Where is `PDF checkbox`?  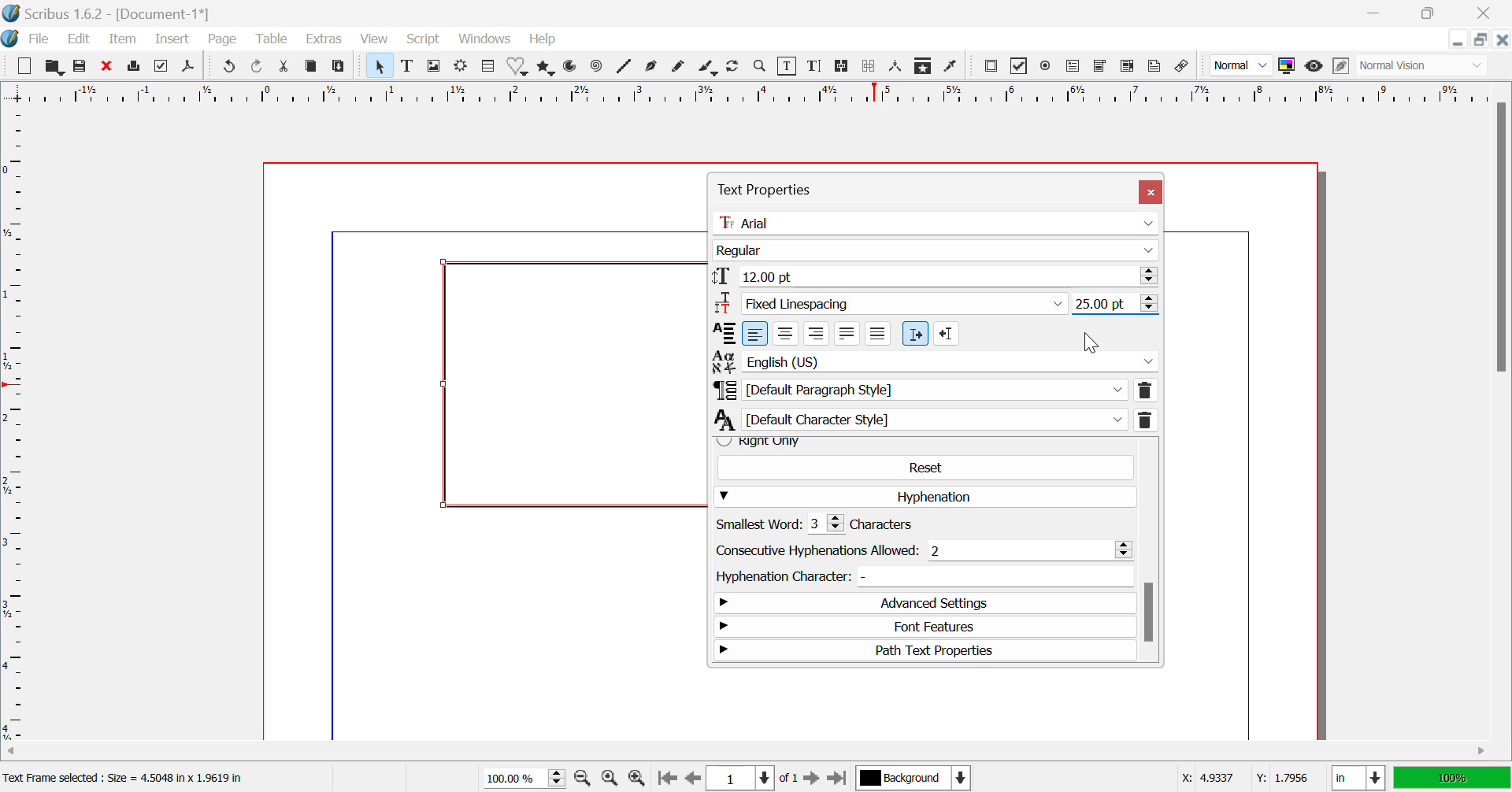 PDF checkbox is located at coordinates (1020, 65).